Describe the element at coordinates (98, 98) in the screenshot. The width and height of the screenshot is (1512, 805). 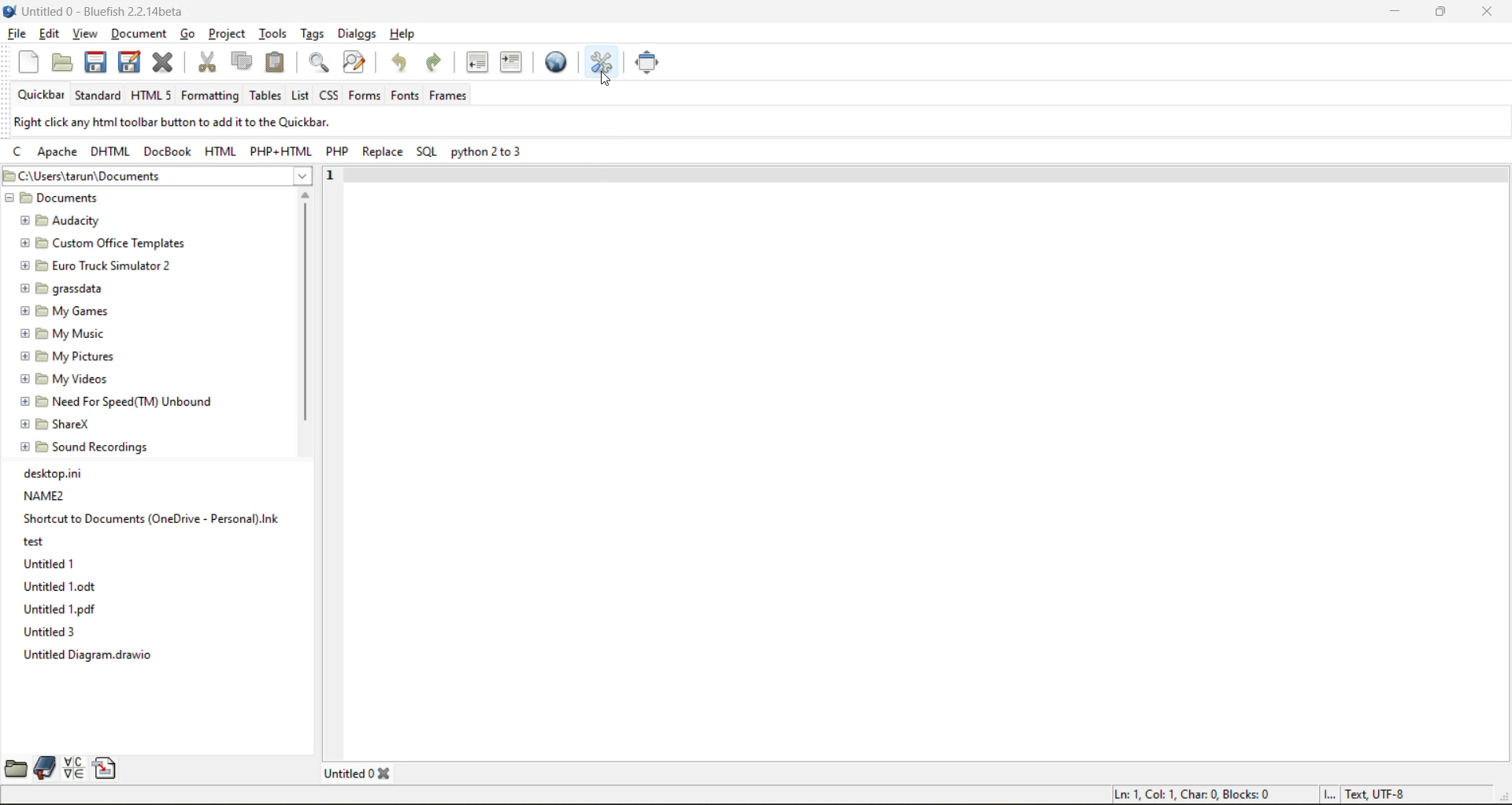
I see `standard` at that location.